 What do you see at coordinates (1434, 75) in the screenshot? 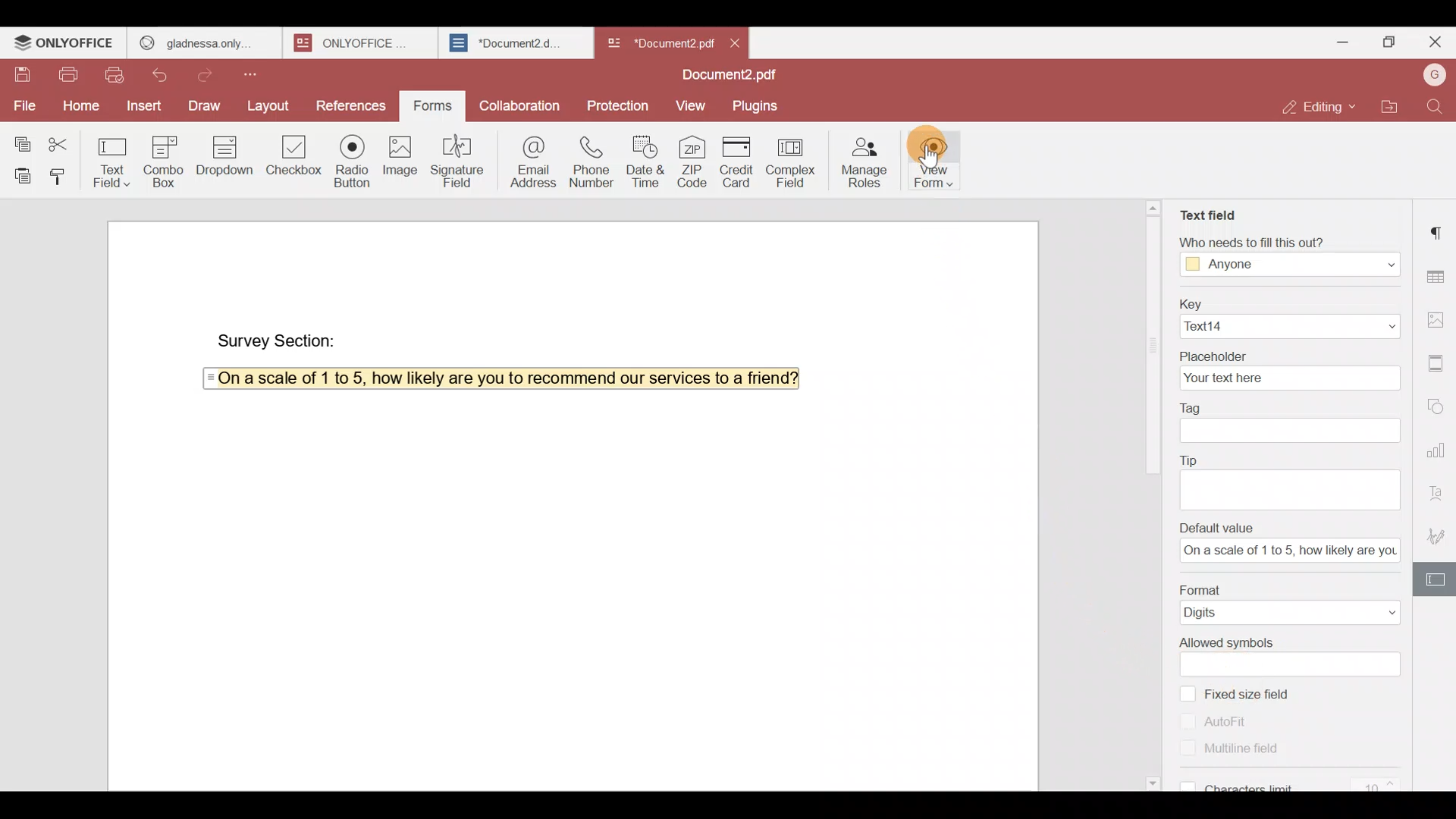
I see `Account name` at bounding box center [1434, 75].